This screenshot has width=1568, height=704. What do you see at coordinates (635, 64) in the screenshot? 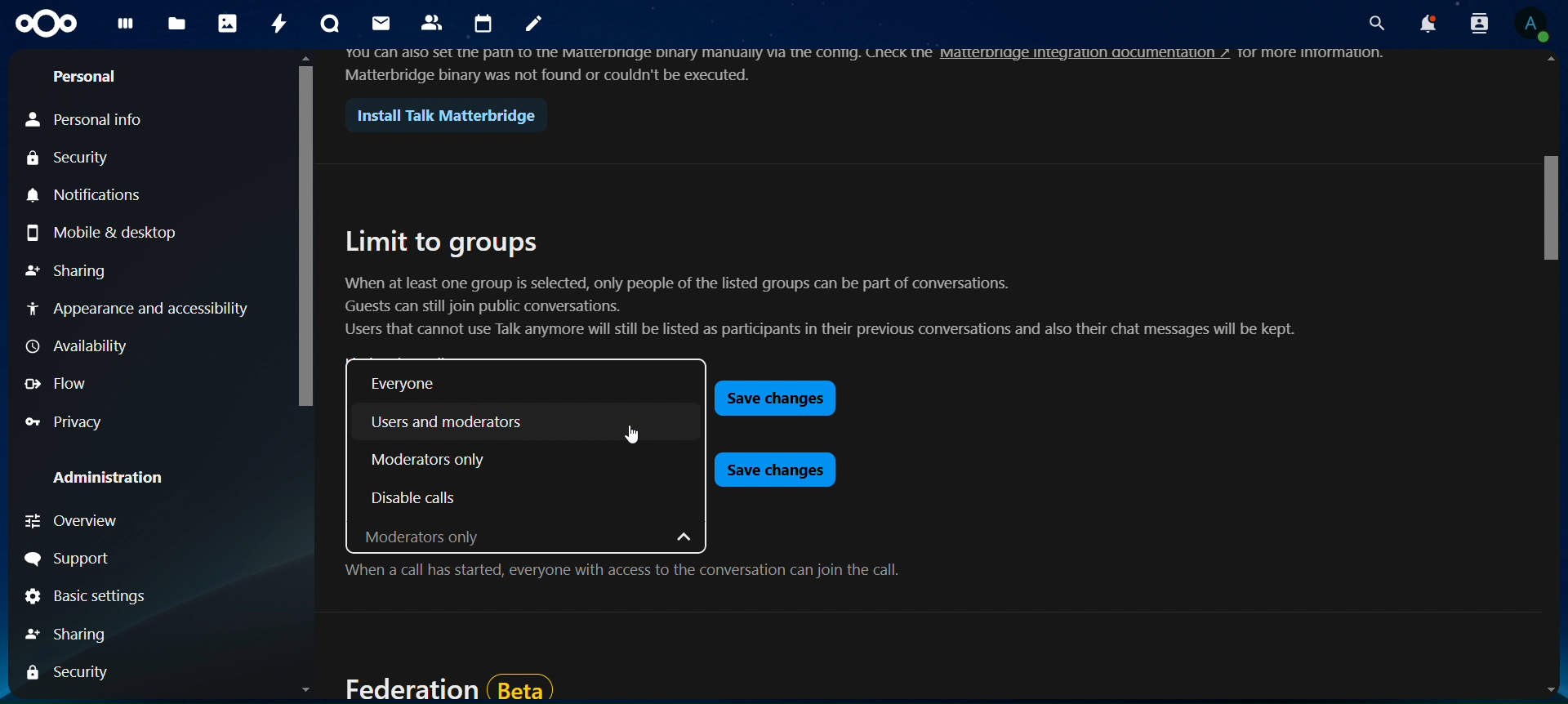
I see `text` at bounding box center [635, 64].